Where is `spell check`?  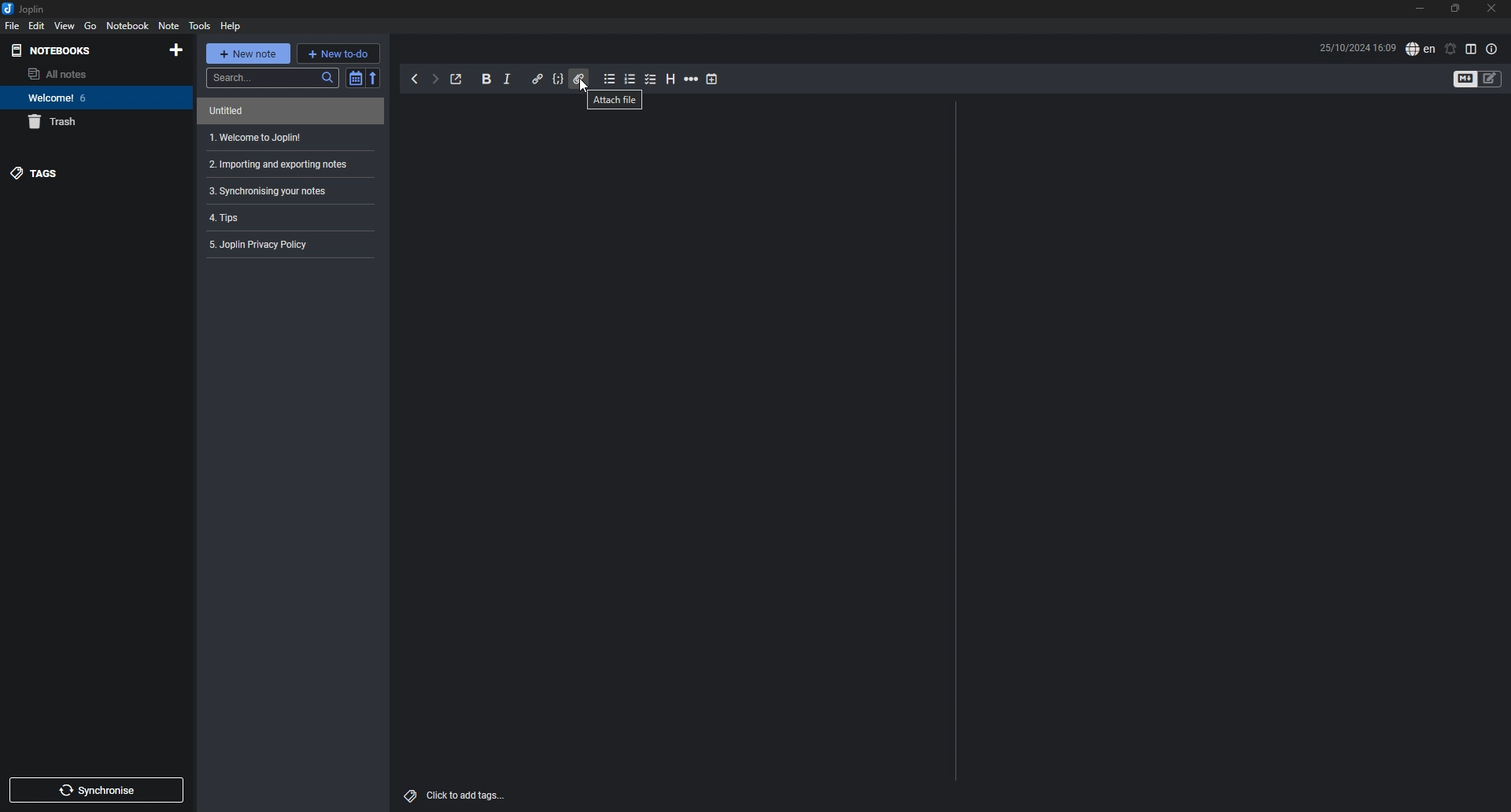 spell check is located at coordinates (1421, 49).